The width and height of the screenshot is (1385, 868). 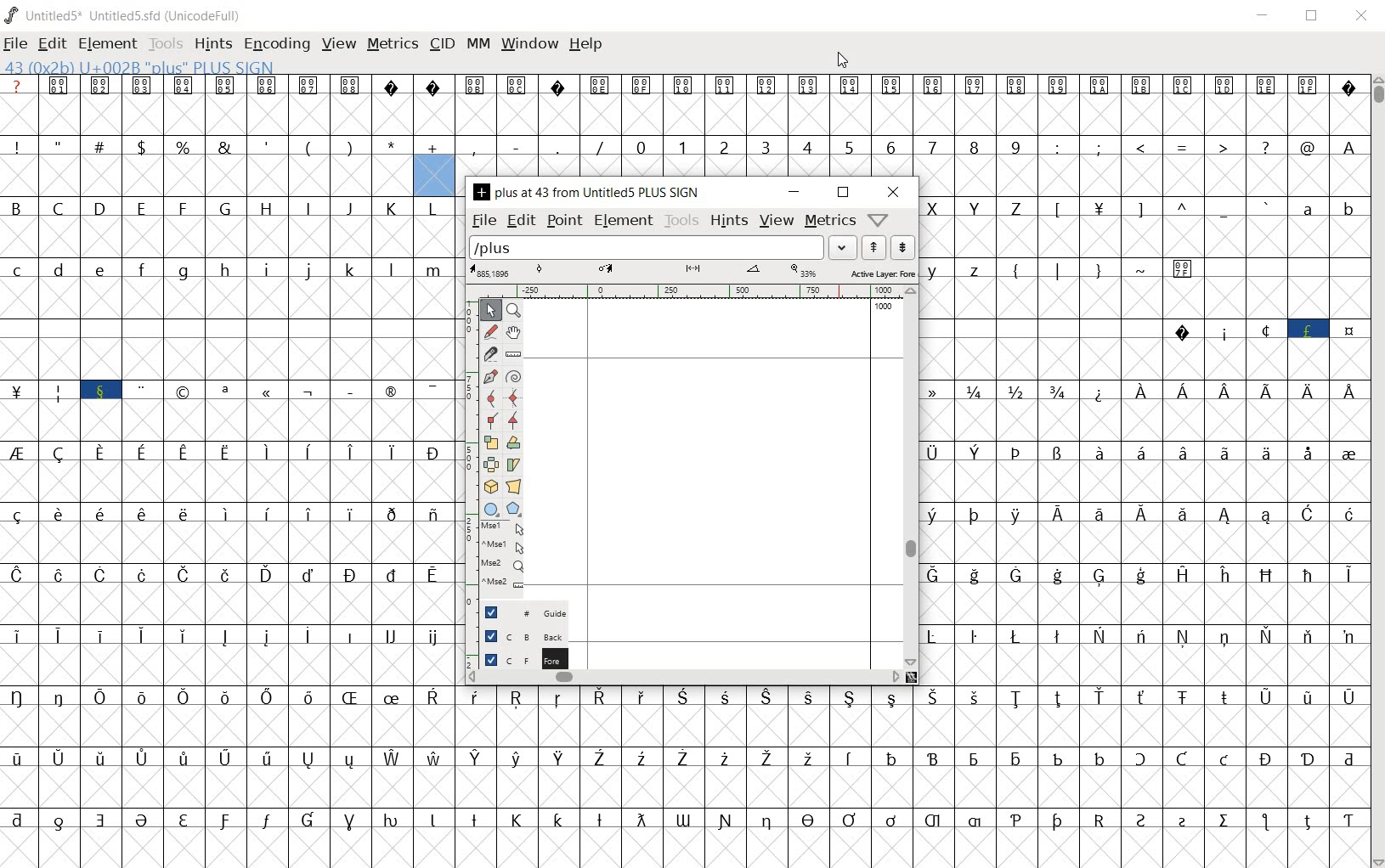 I want to click on , so click(x=960, y=289).